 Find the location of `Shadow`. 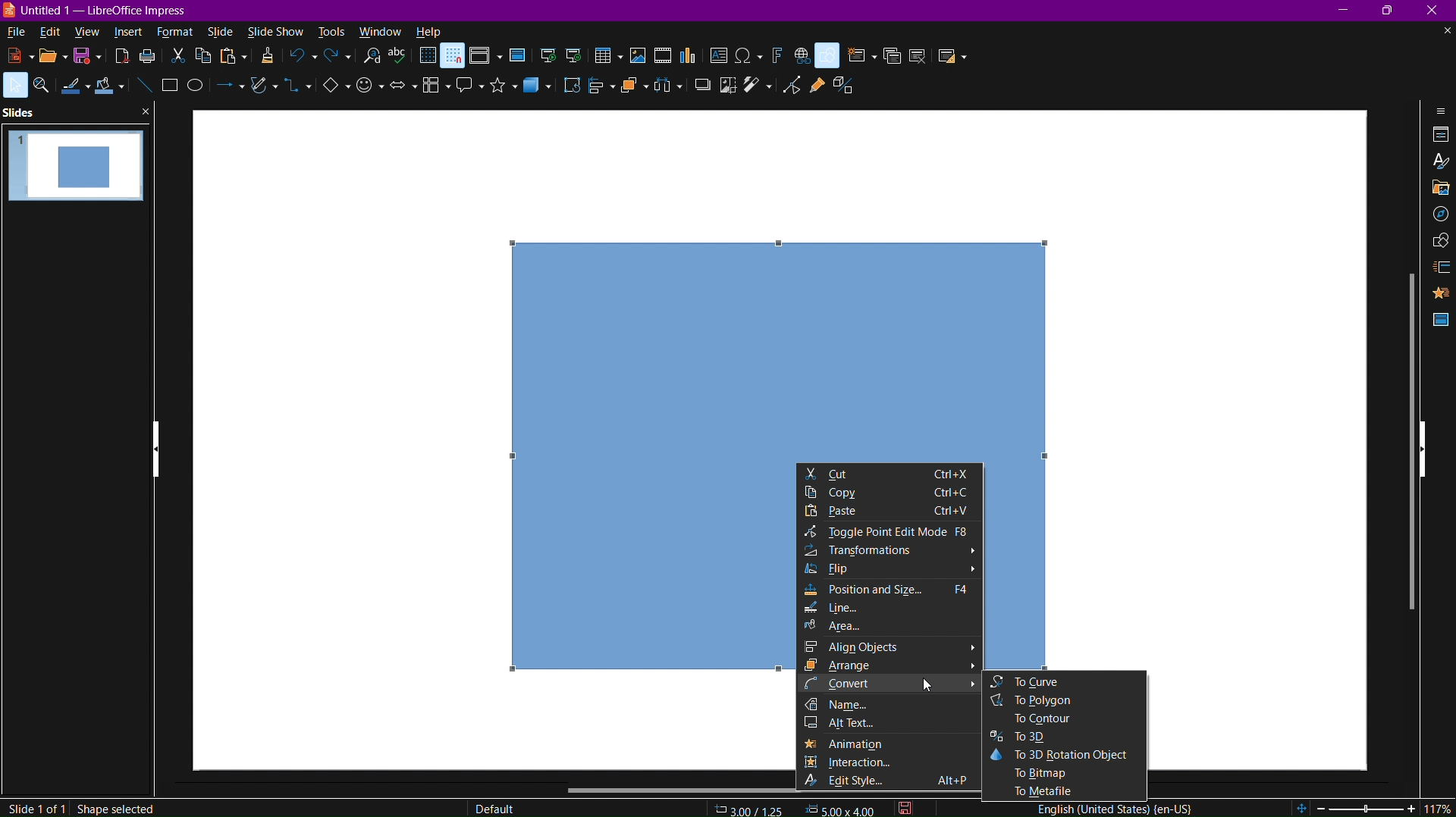

Shadow is located at coordinates (699, 90).